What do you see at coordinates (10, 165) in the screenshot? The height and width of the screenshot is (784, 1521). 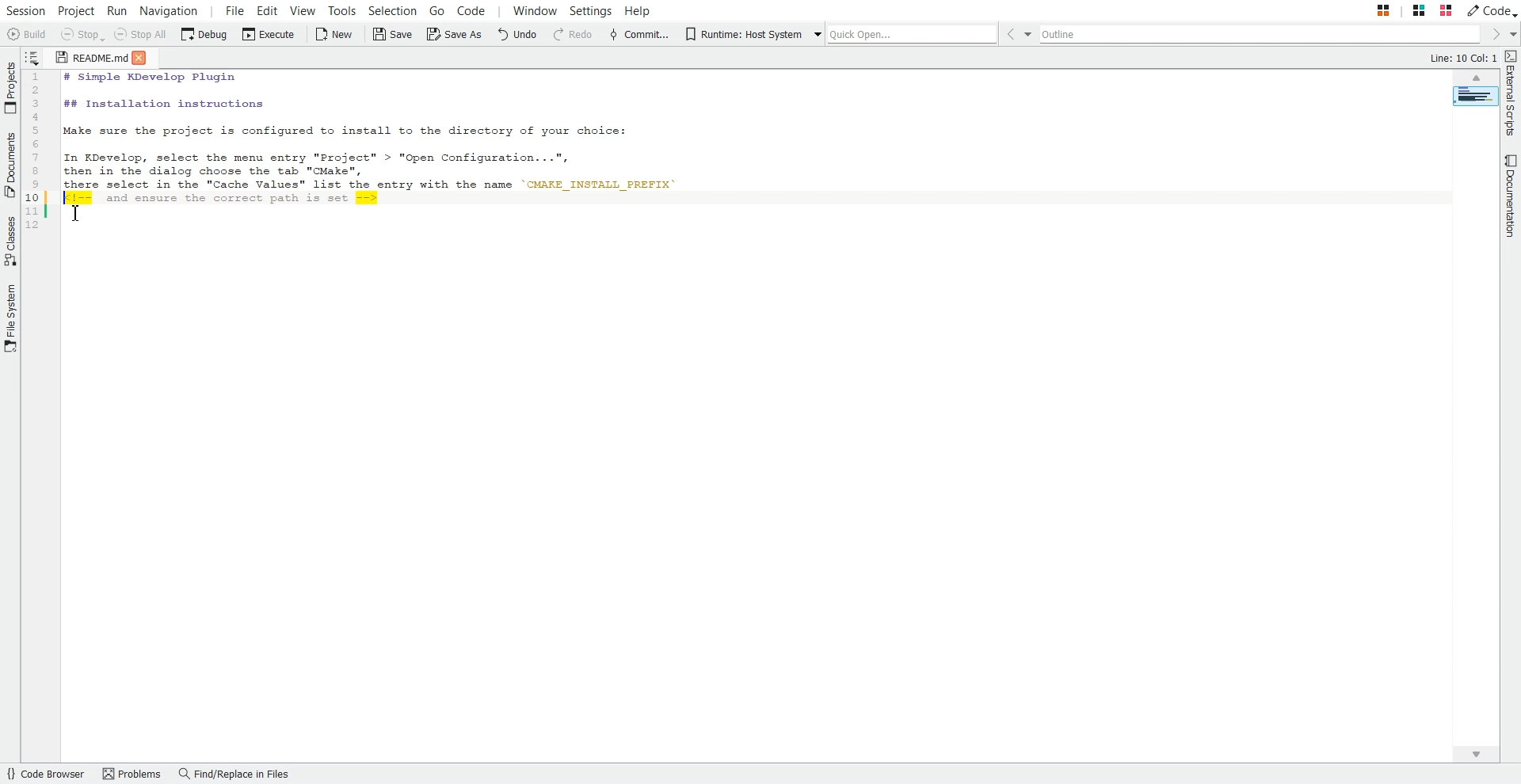 I see `Documents` at bounding box center [10, 165].